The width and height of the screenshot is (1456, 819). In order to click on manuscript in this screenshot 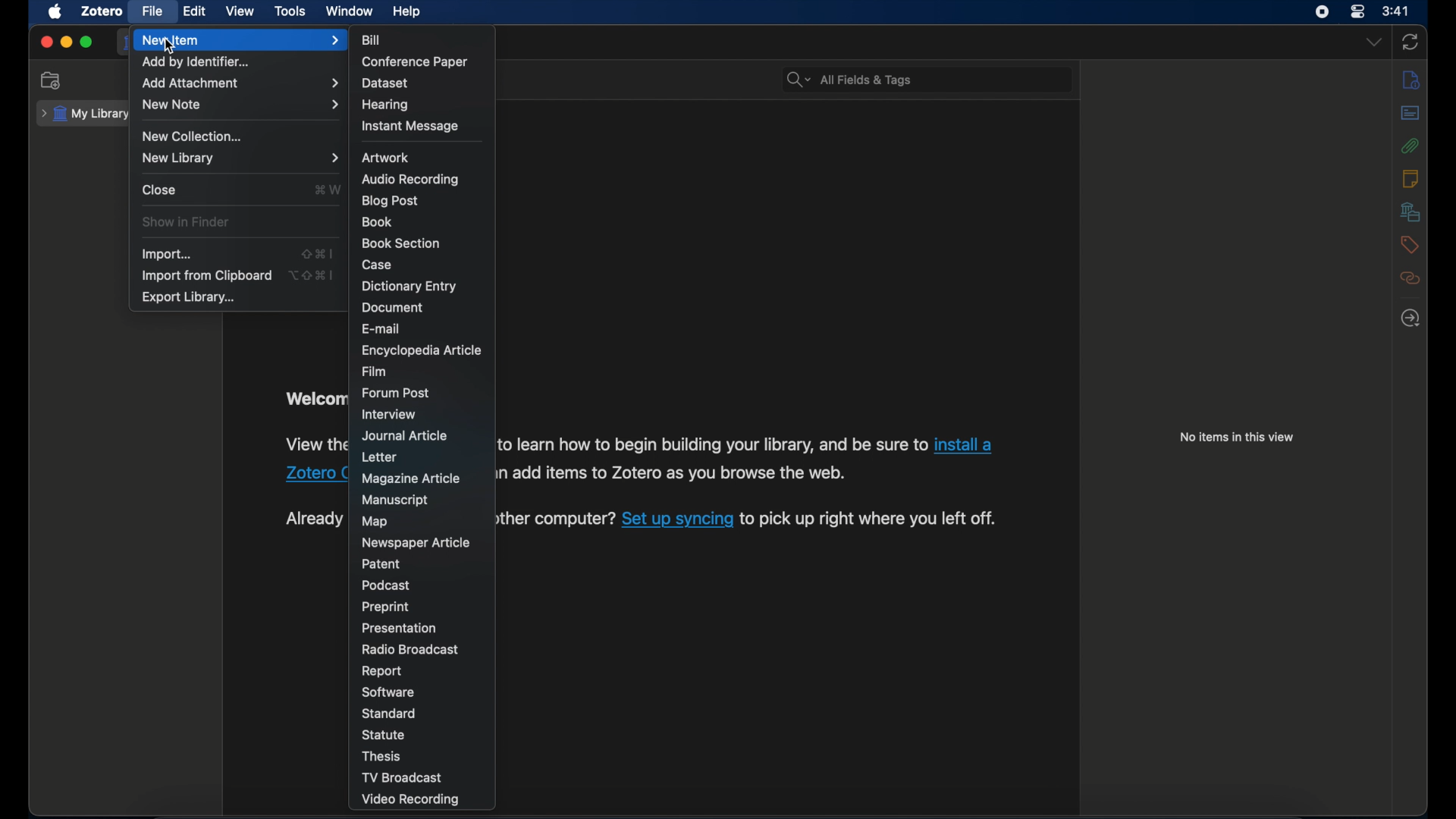, I will do `click(395, 500)`.